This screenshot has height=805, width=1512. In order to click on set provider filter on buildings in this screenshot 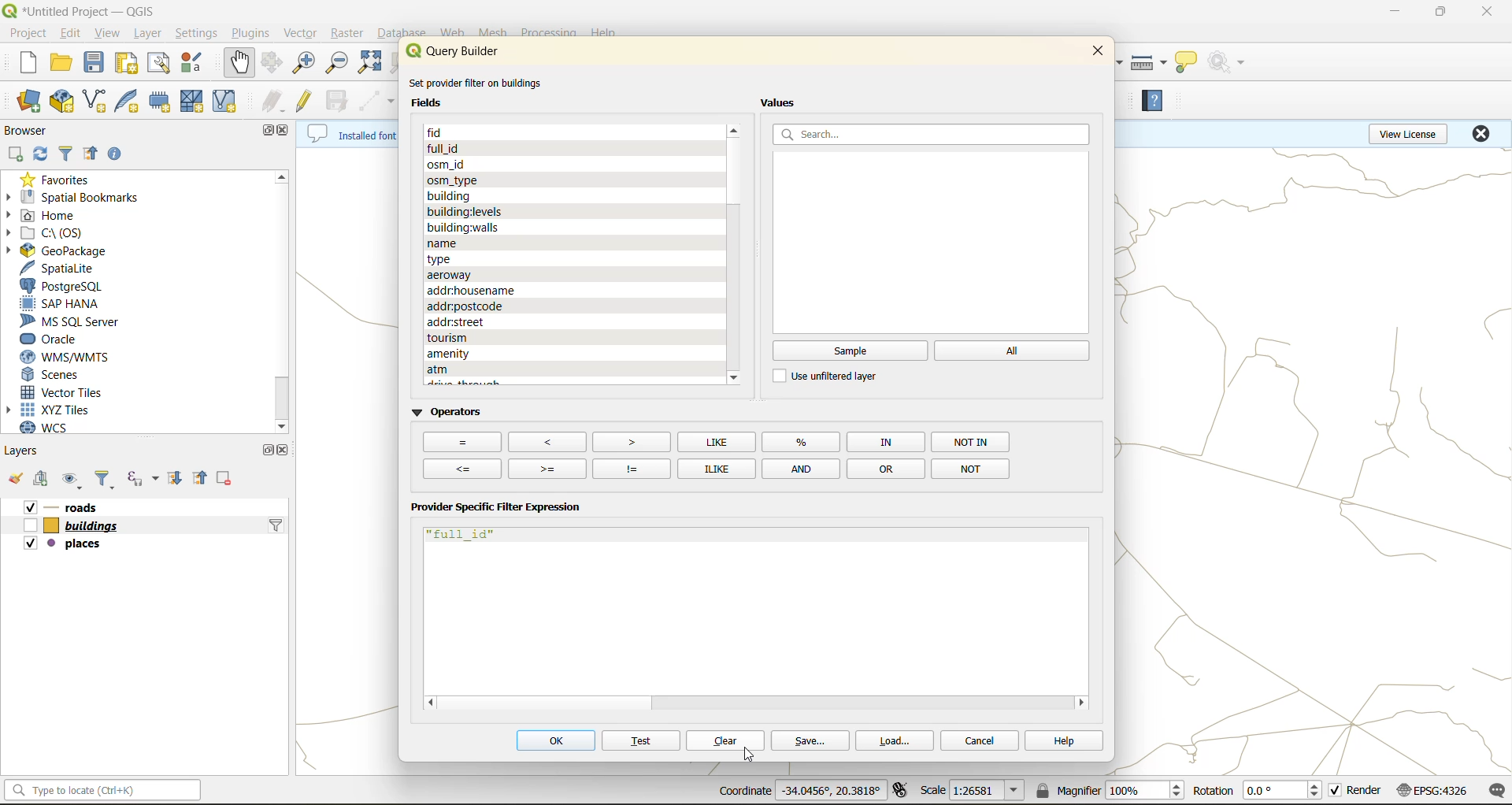, I will do `click(482, 81)`.